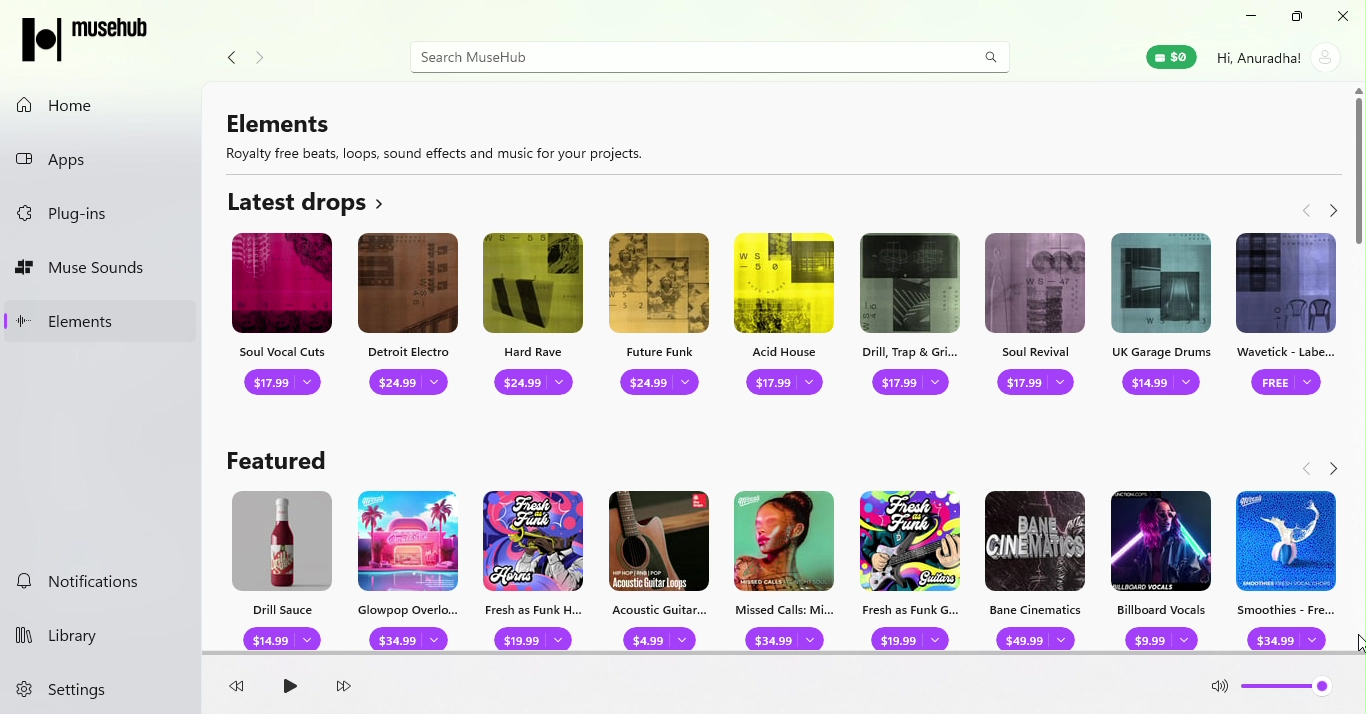  What do you see at coordinates (1246, 17) in the screenshot?
I see `Minimize` at bounding box center [1246, 17].